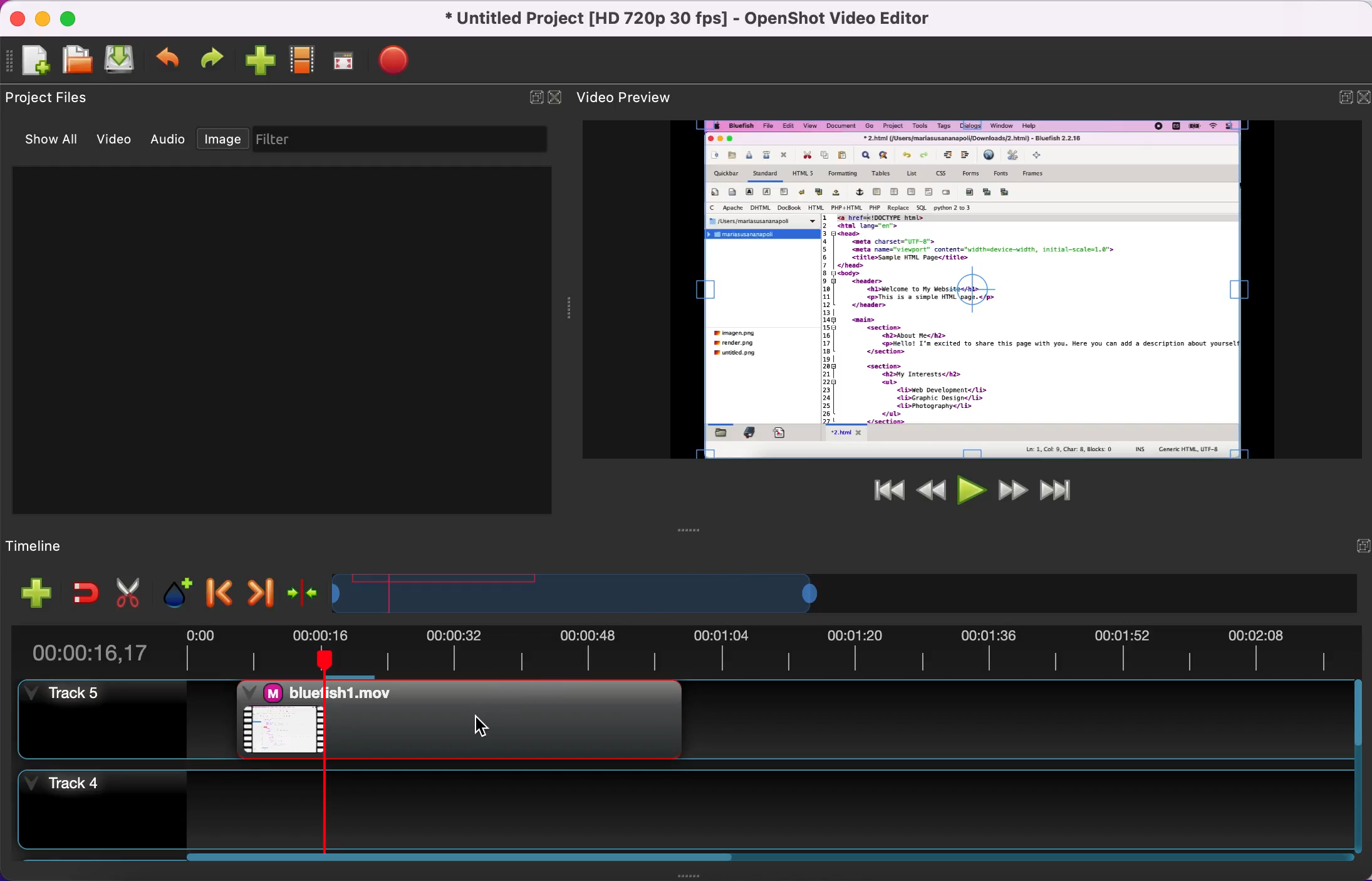 Image resolution: width=1372 pixels, height=881 pixels. I want to click on add file, so click(29, 593).